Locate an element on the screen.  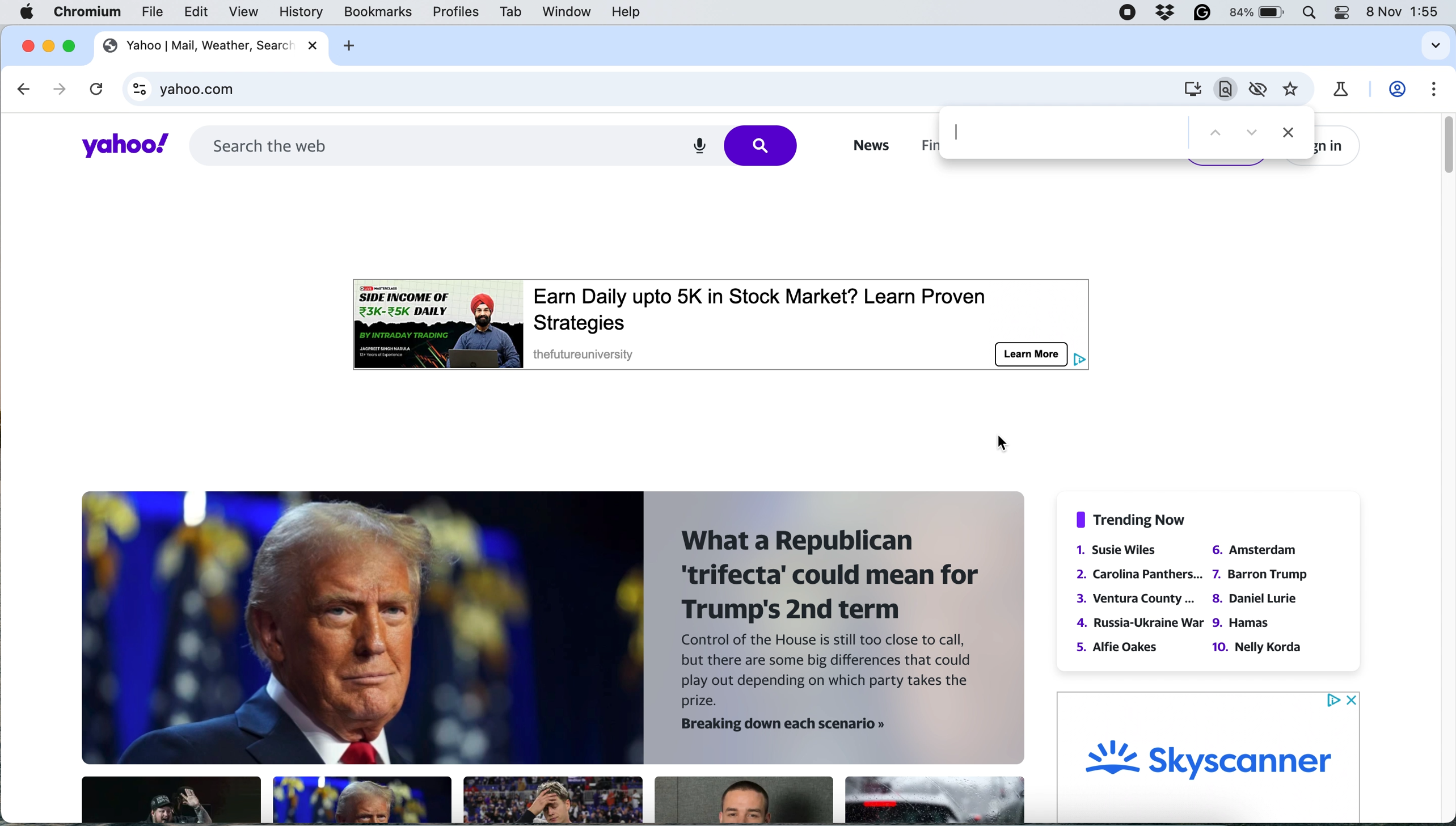
News Article  is located at coordinates (932, 801).